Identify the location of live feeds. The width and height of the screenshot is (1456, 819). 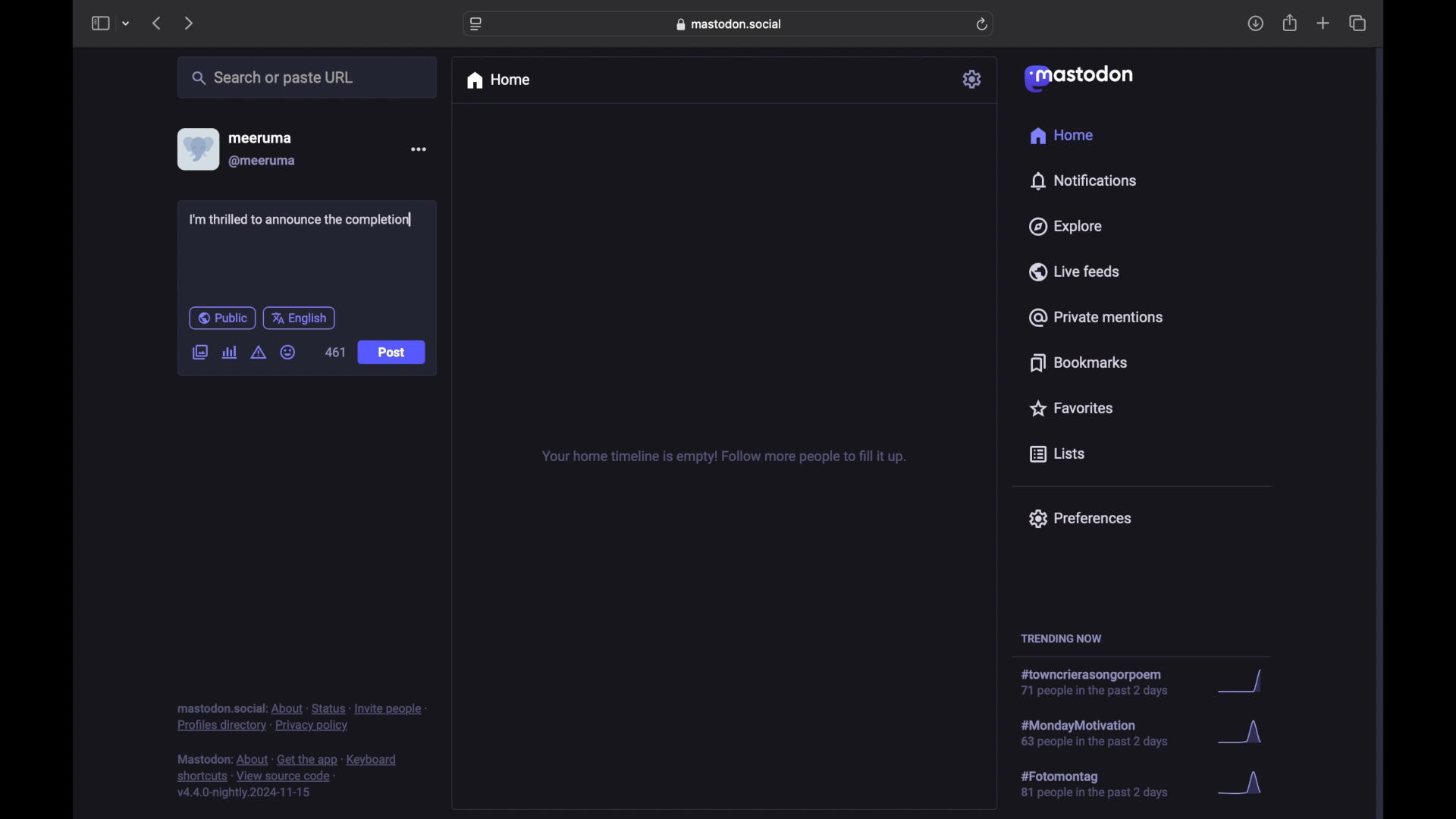
(1073, 271).